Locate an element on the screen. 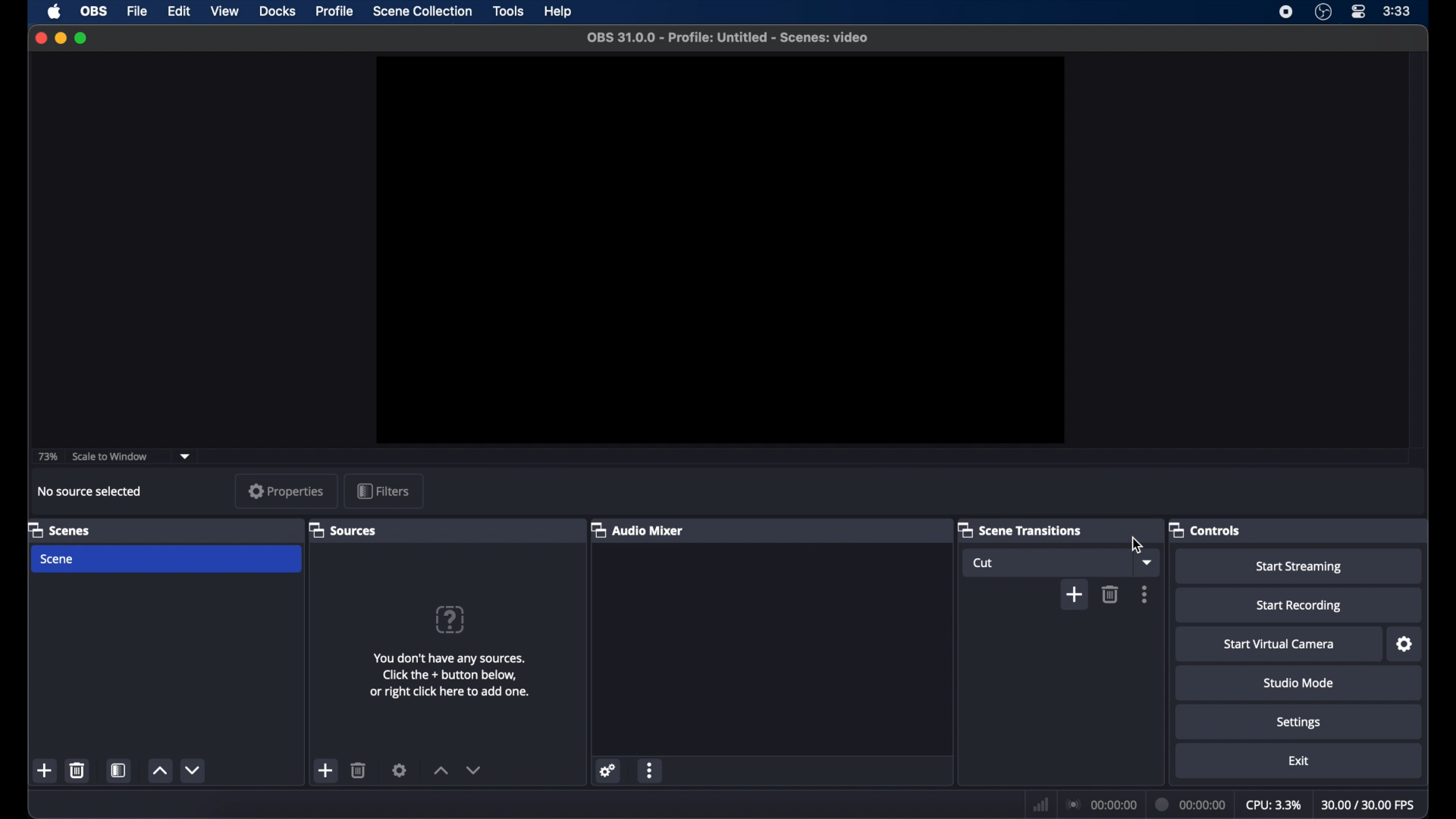 This screenshot has width=1456, height=819. sources is located at coordinates (343, 532).